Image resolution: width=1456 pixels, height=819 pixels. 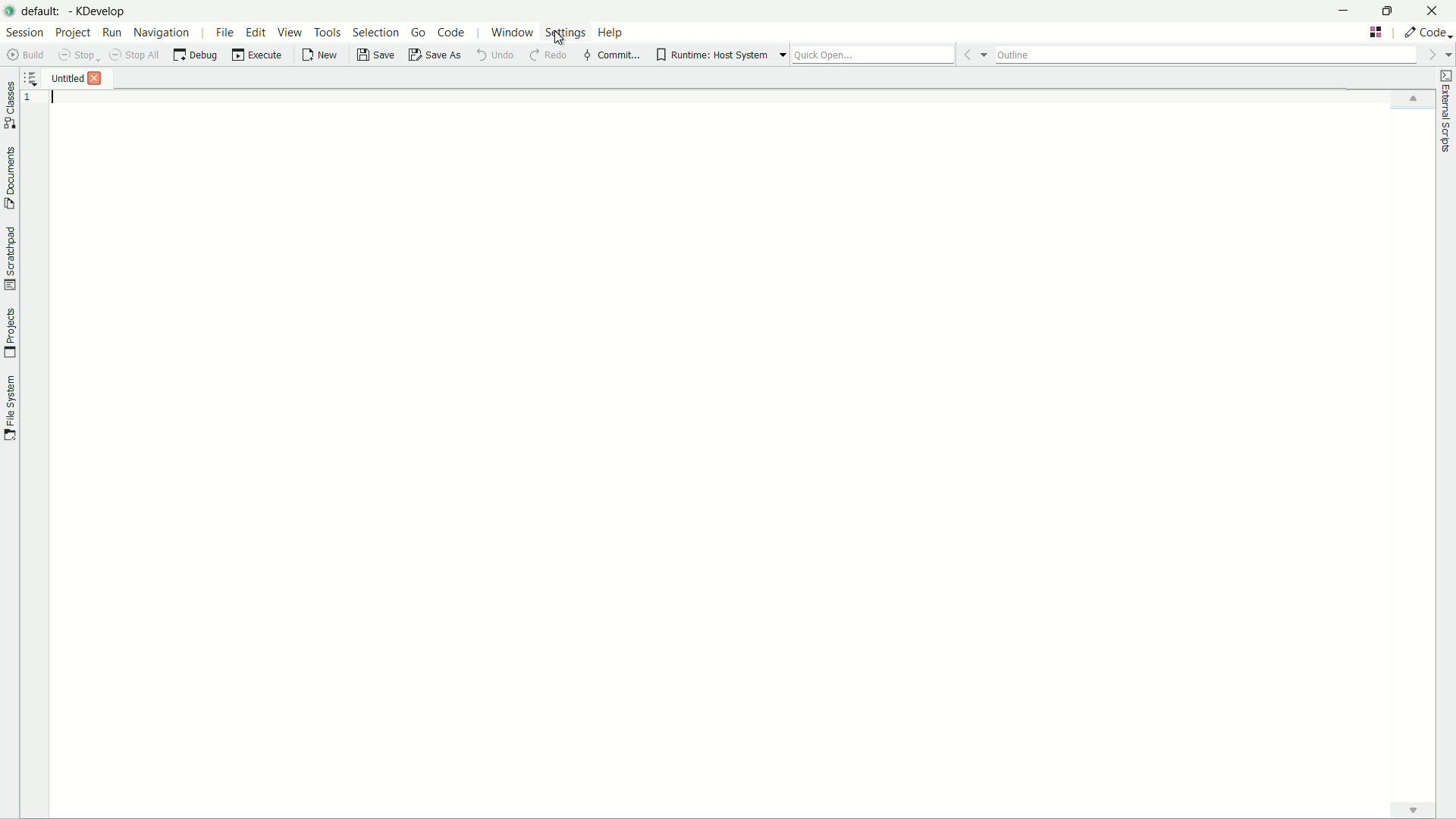 What do you see at coordinates (493, 54) in the screenshot?
I see `undo` at bounding box center [493, 54].